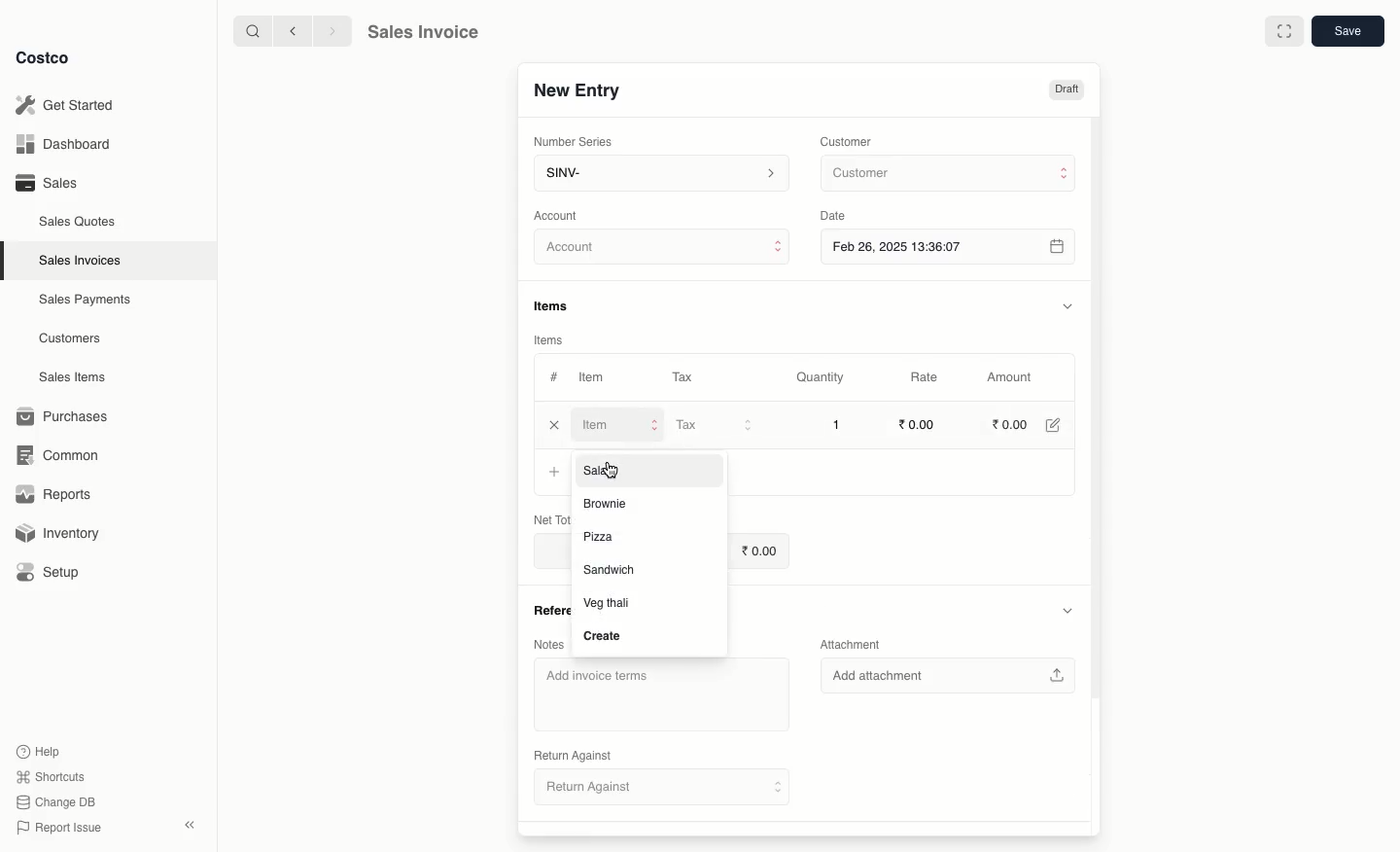 The width and height of the screenshot is (1400, 852). Describe the element at coordinates (1052, 424) in the screenshot. I see `Edit` at that location.